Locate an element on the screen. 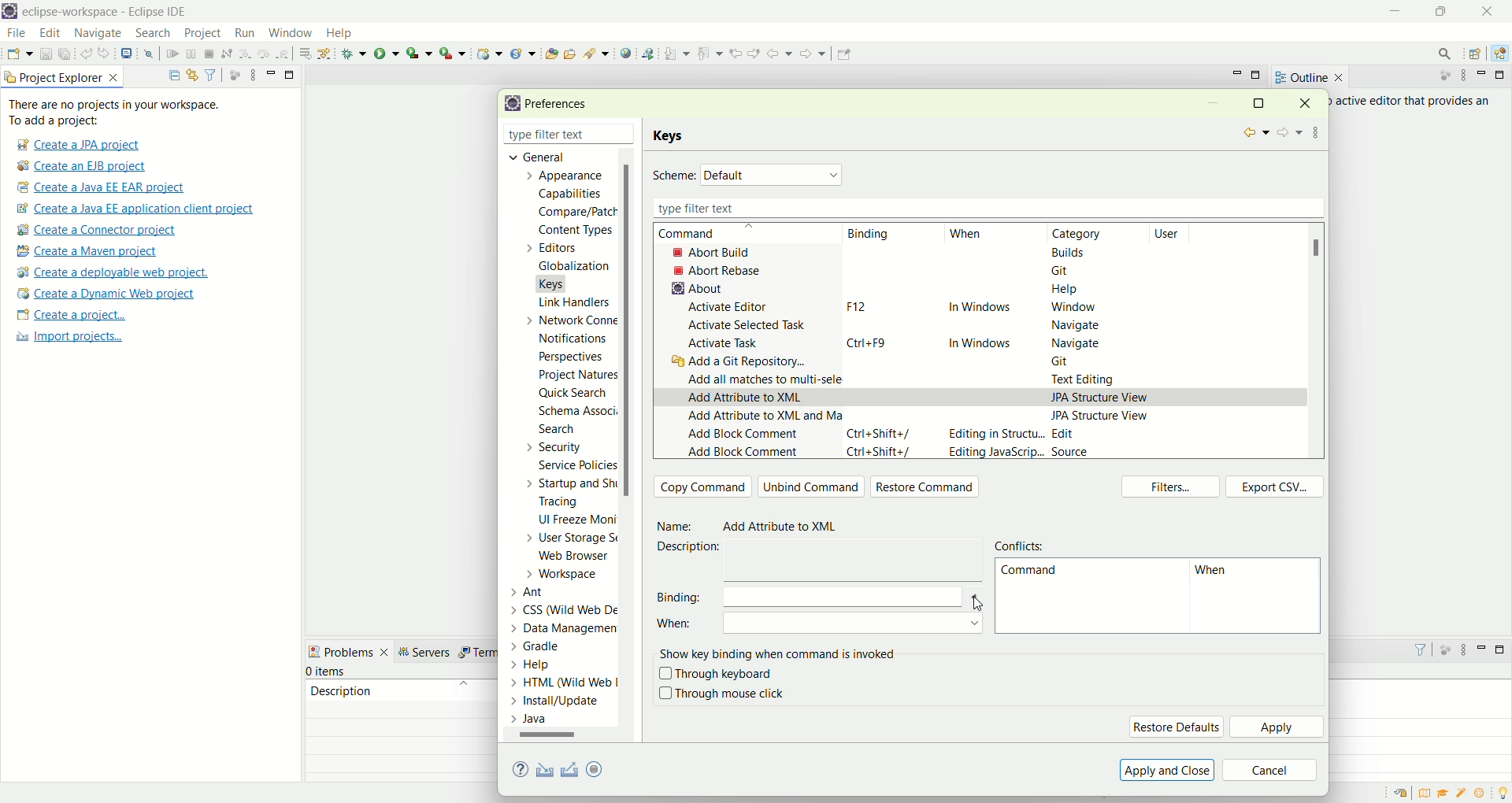 The height and width of the screenshot is (803, 1512). copy command is located at coordinates (703, 487).